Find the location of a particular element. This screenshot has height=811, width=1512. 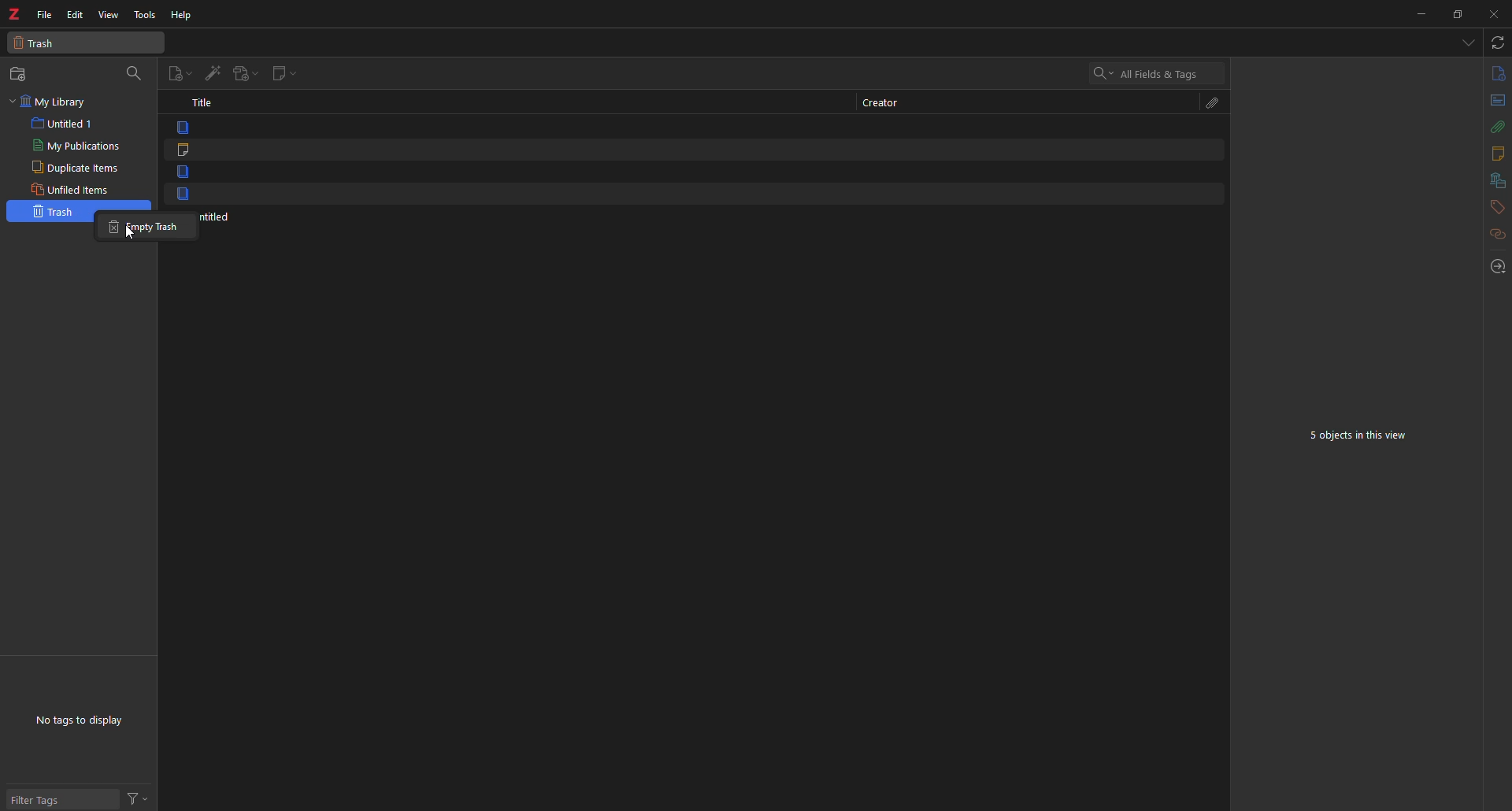

info is located at coordinates (1498, 74).